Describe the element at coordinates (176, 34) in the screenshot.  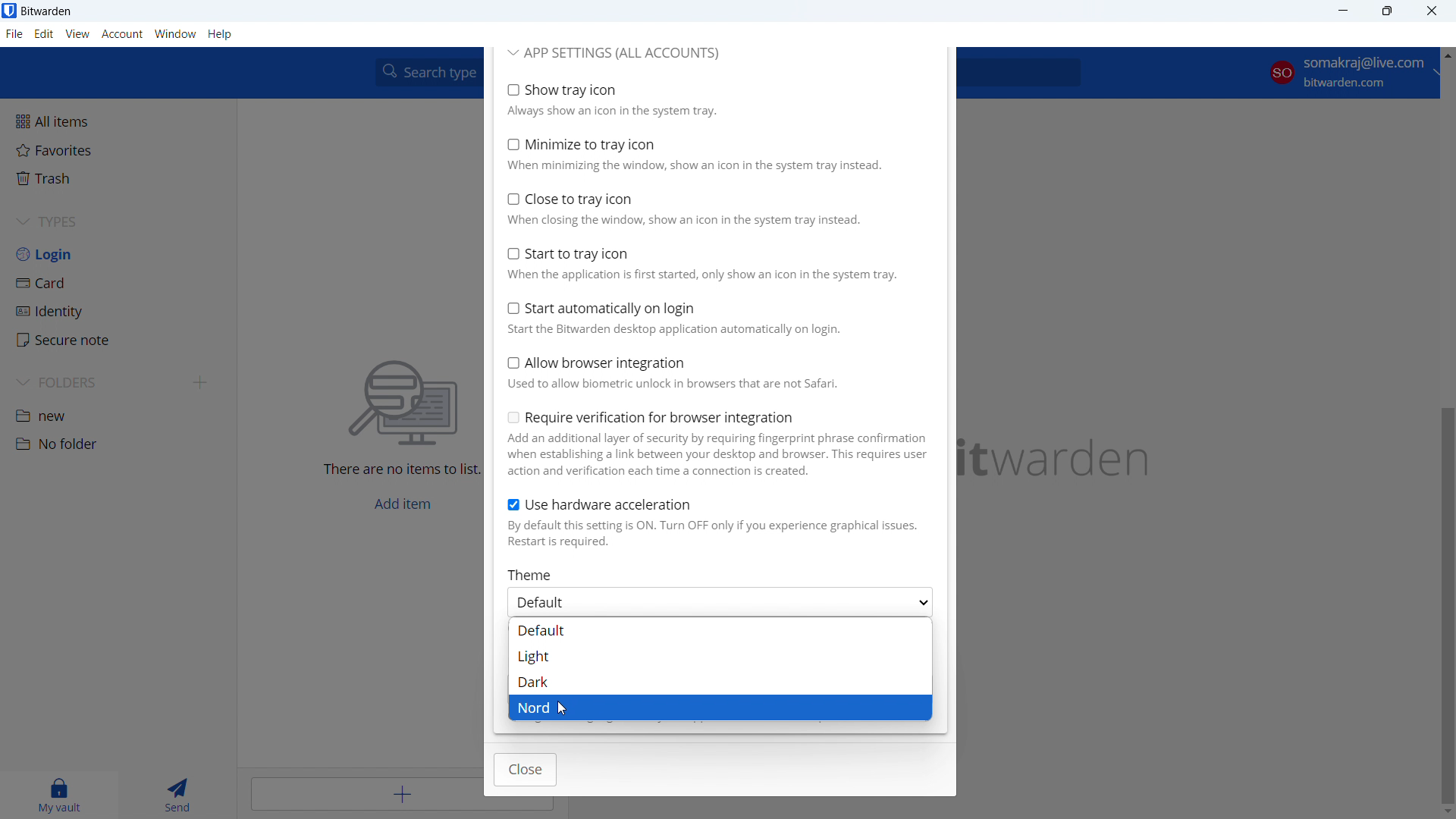
I see `window` at that location.